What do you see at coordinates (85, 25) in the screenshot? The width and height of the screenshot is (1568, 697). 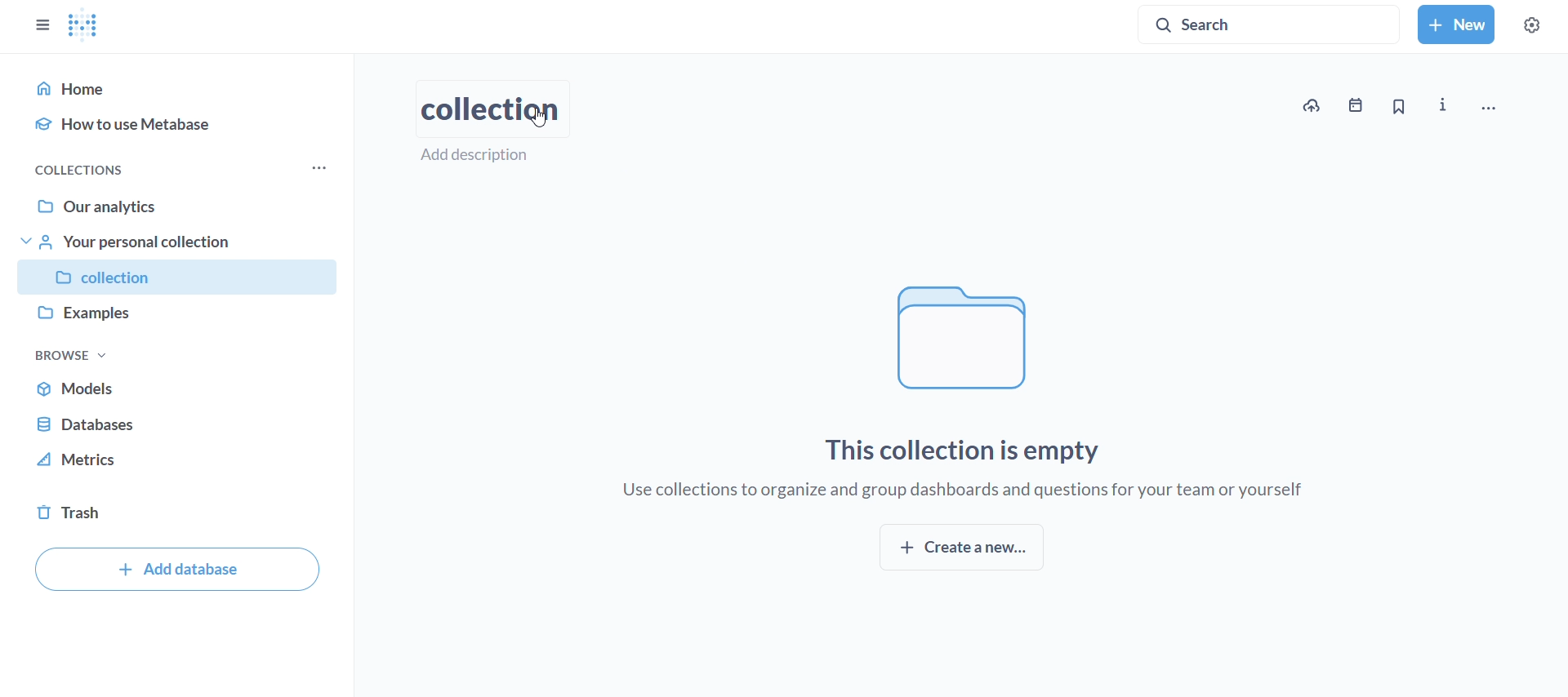 I see `metabase logo` at bounding box center [85, 25].